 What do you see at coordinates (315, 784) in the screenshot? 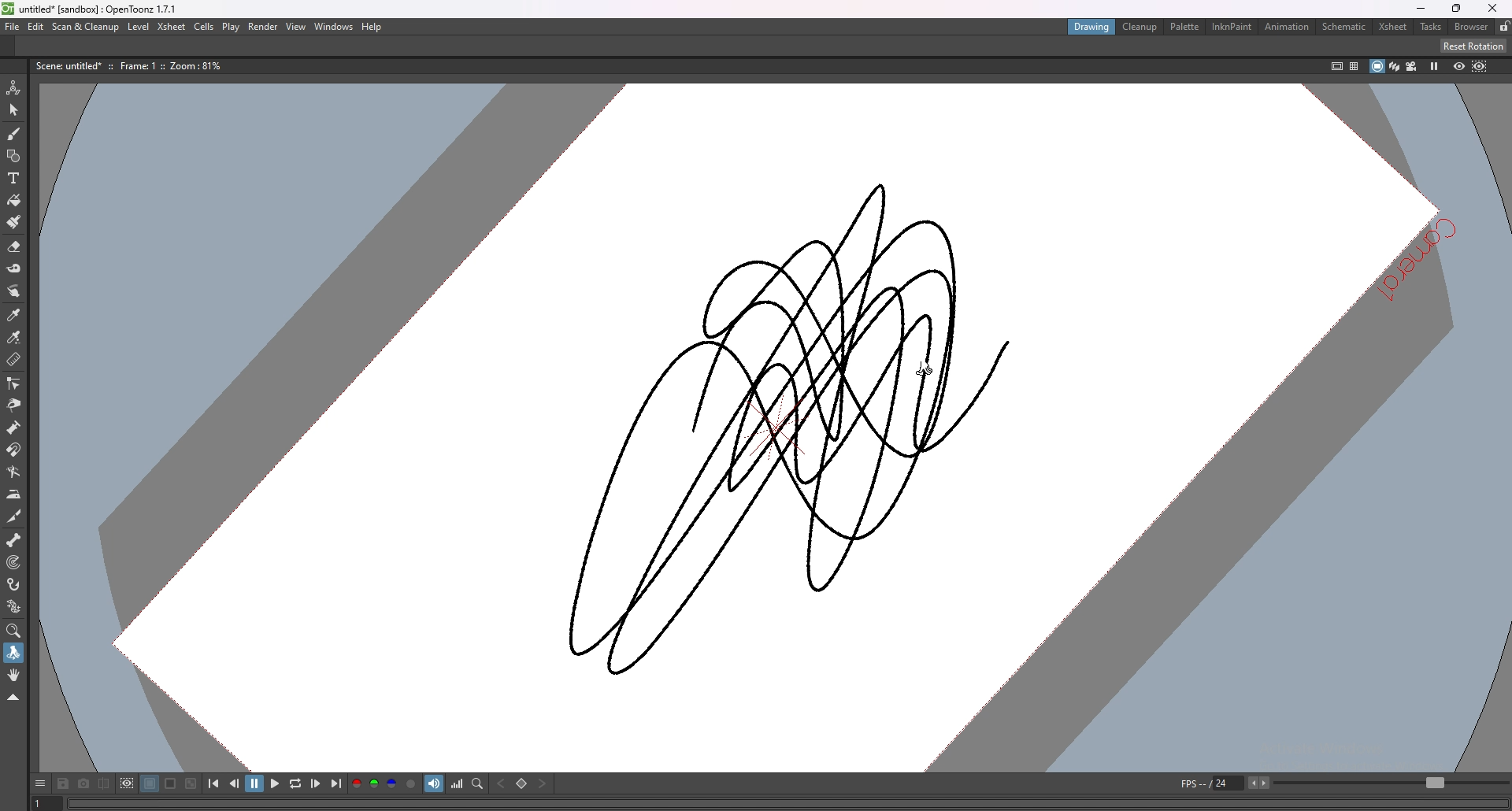
I see `next frame` at bounding box center [315, 784].